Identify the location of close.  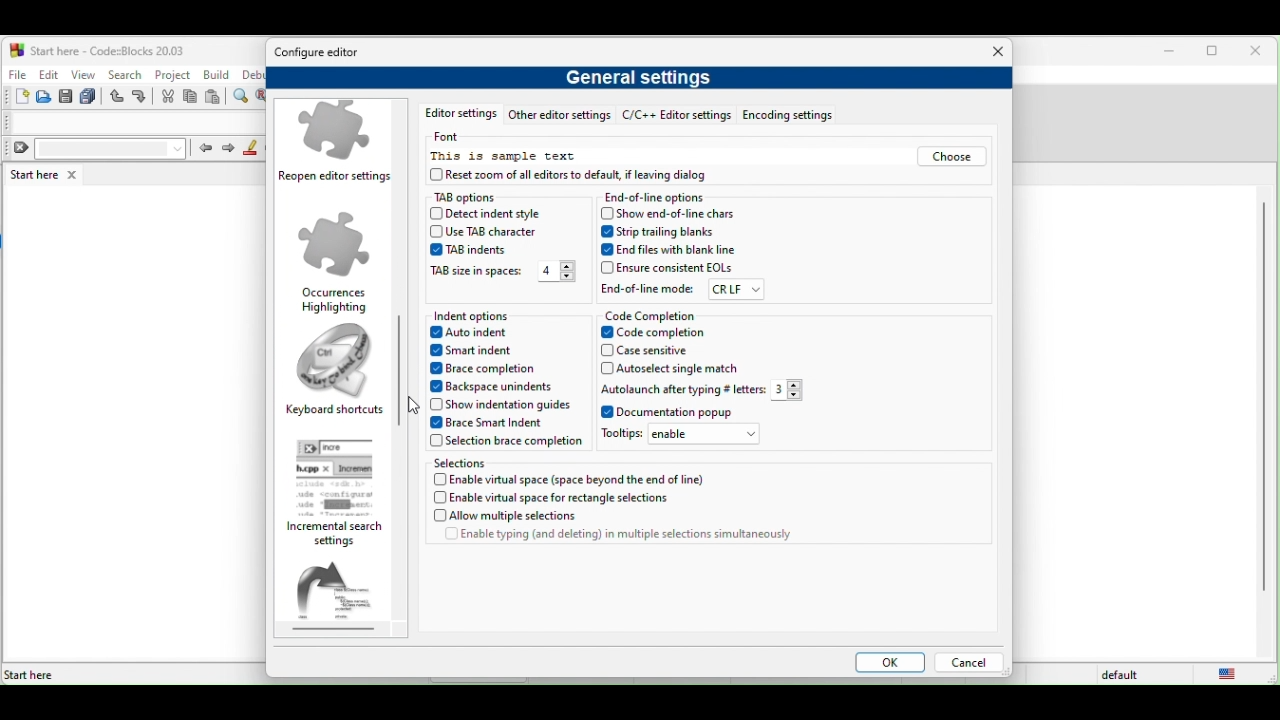
(1260, 52).